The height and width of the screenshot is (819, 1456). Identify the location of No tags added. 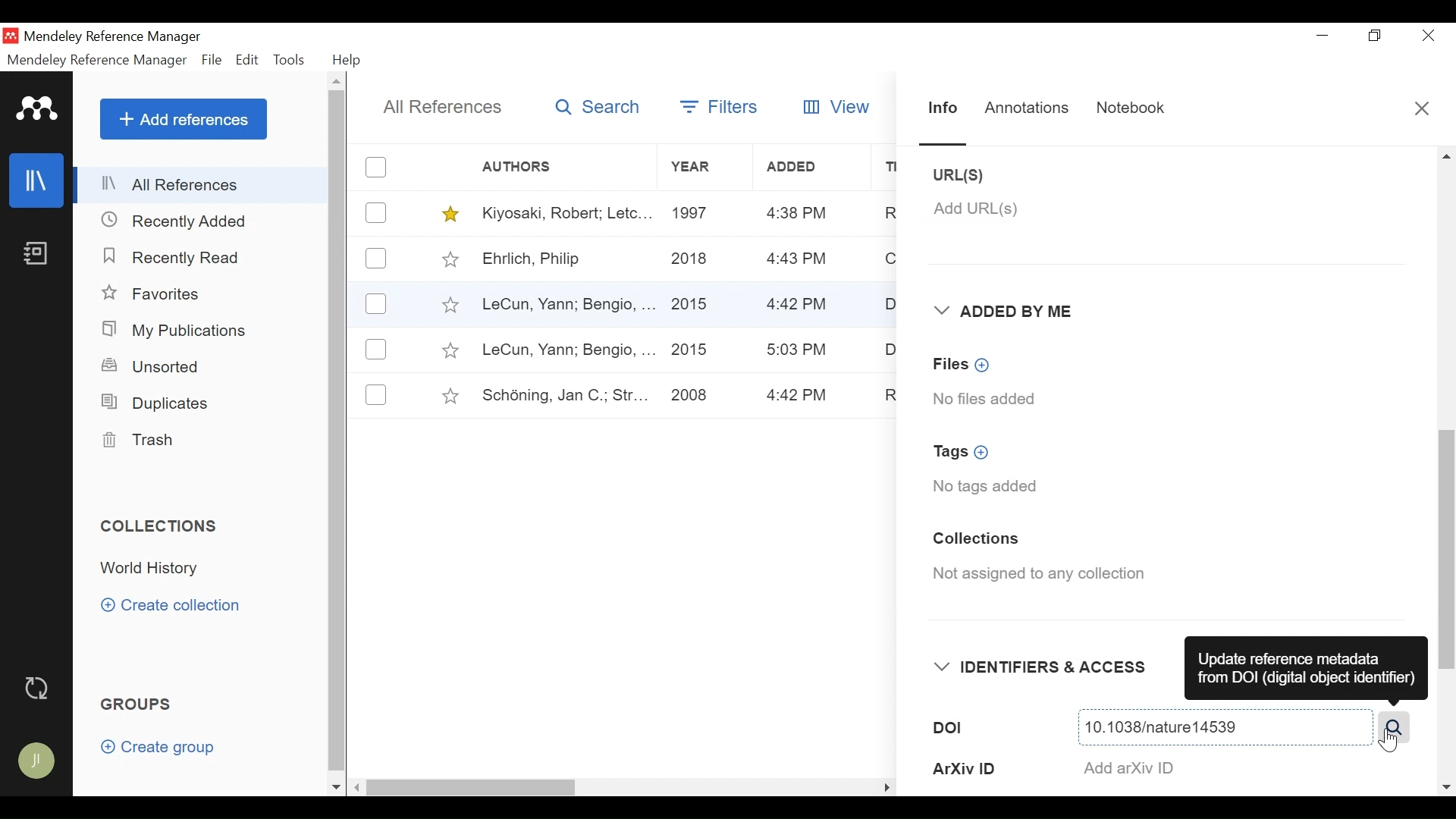
(986, 488).